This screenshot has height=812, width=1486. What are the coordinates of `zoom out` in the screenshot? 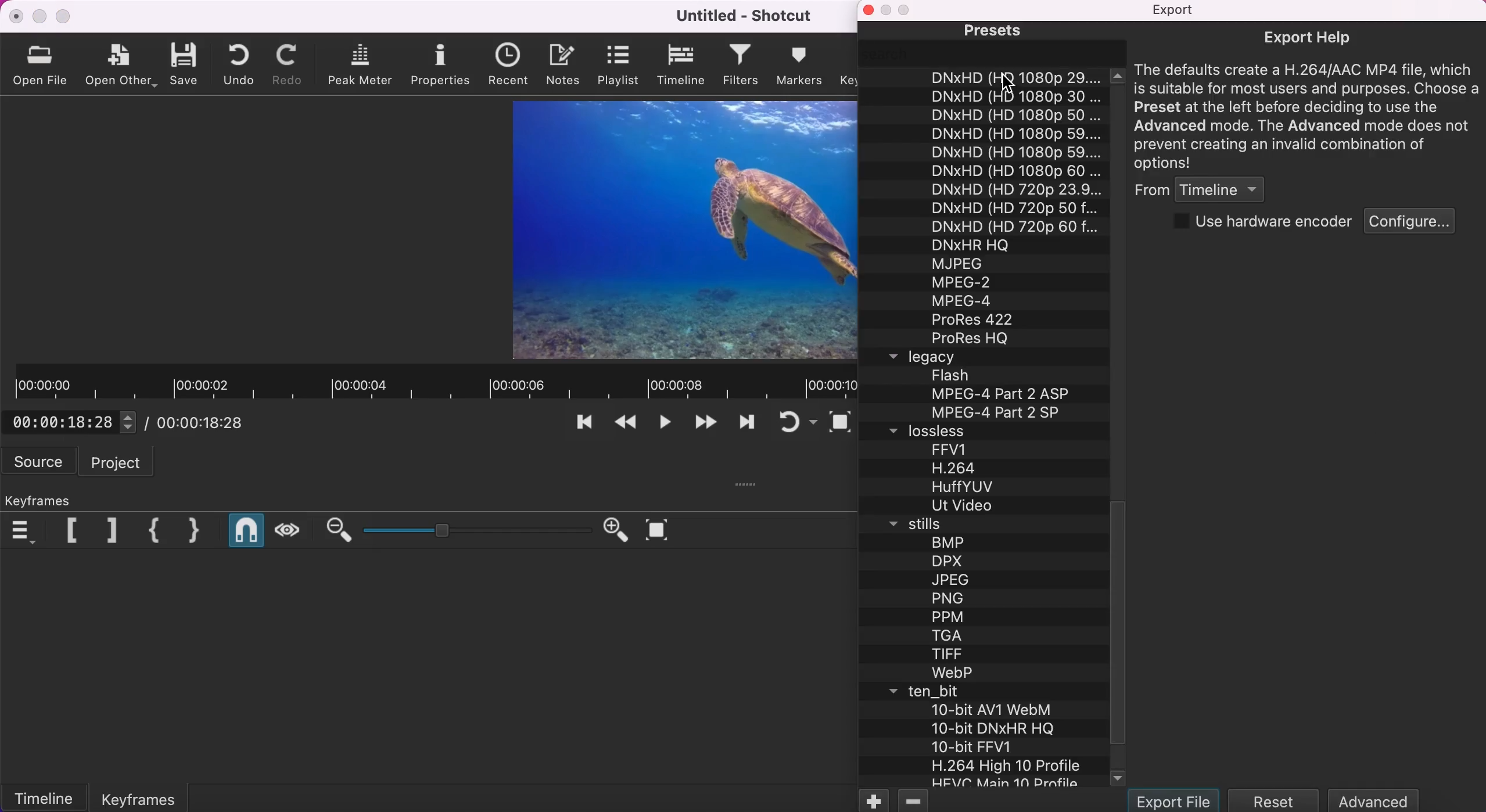 It's located at (333, 529).